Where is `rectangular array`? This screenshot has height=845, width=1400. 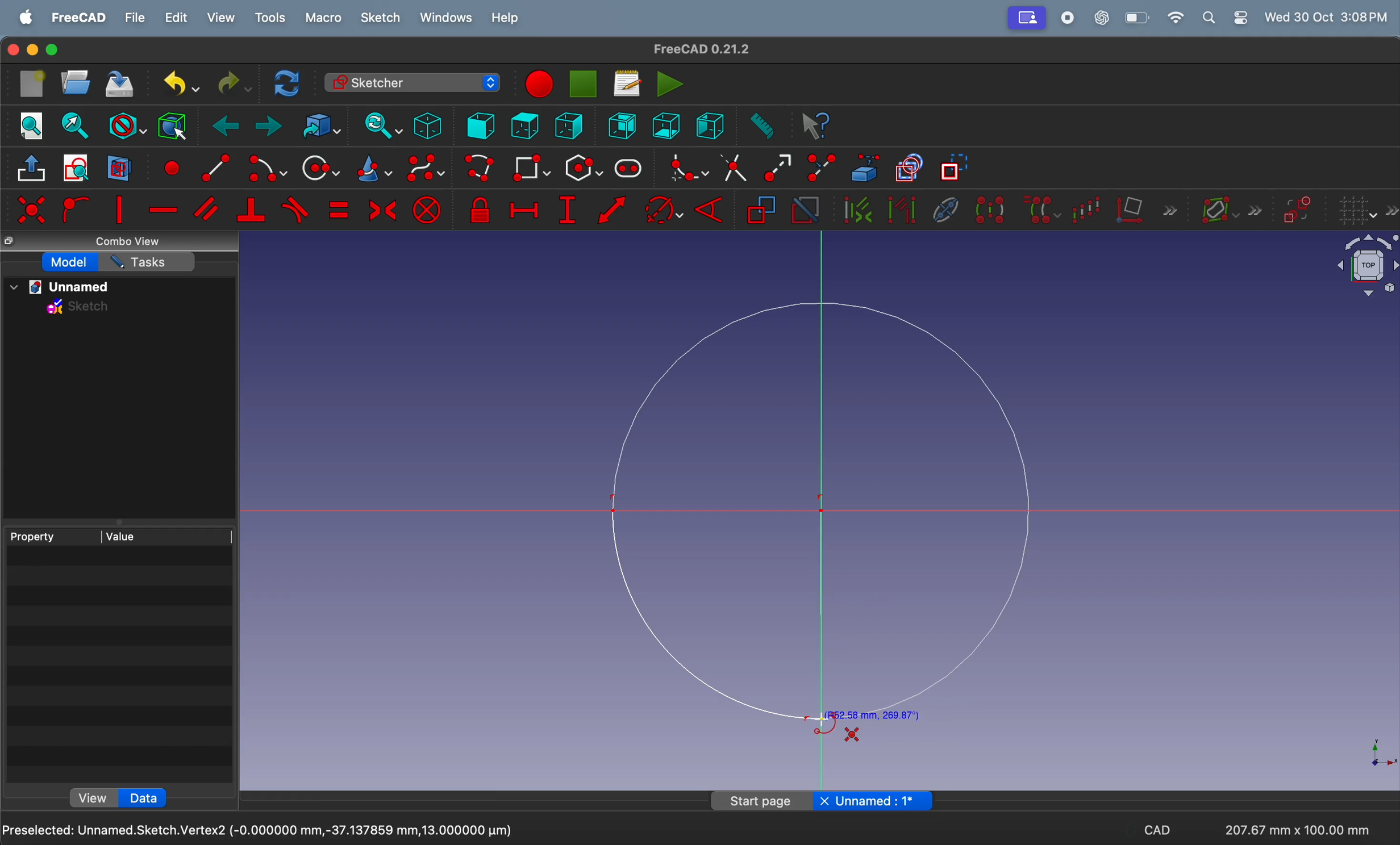 rectangular array is located at coordinates (1090, 208).